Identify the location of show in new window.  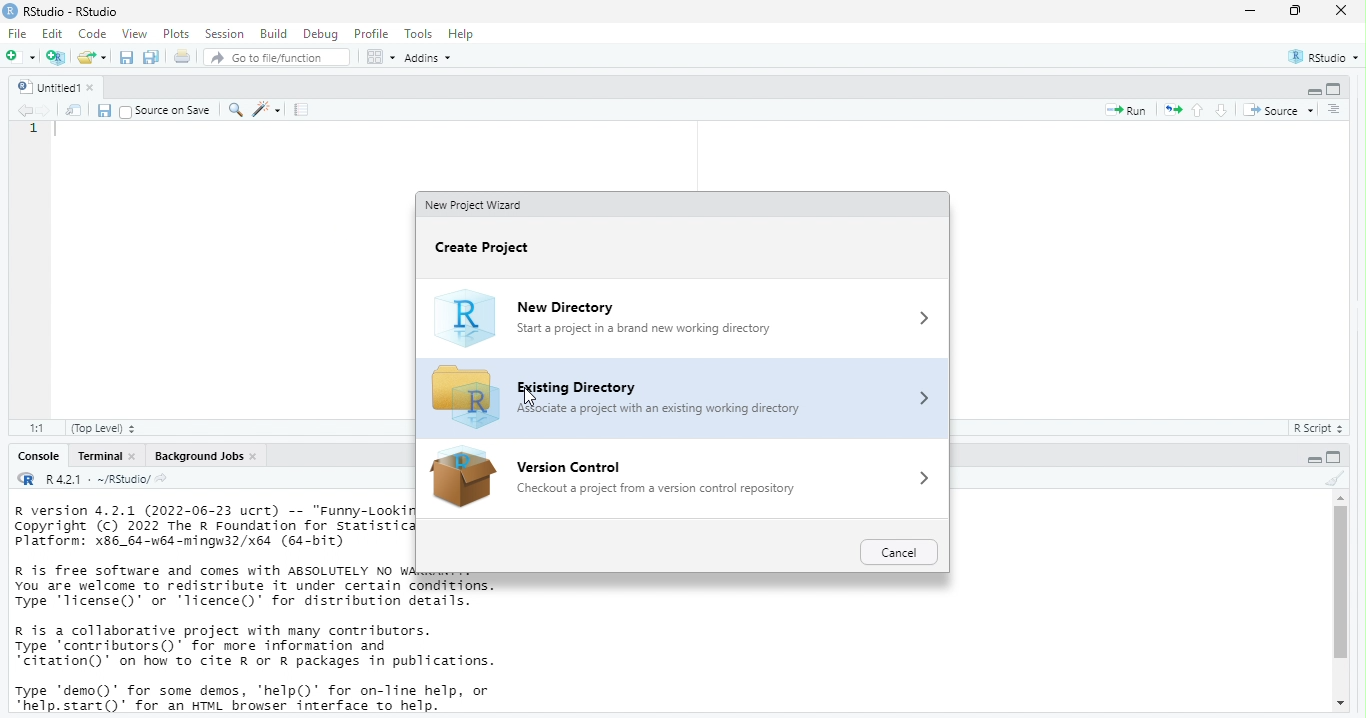
(74, 110).